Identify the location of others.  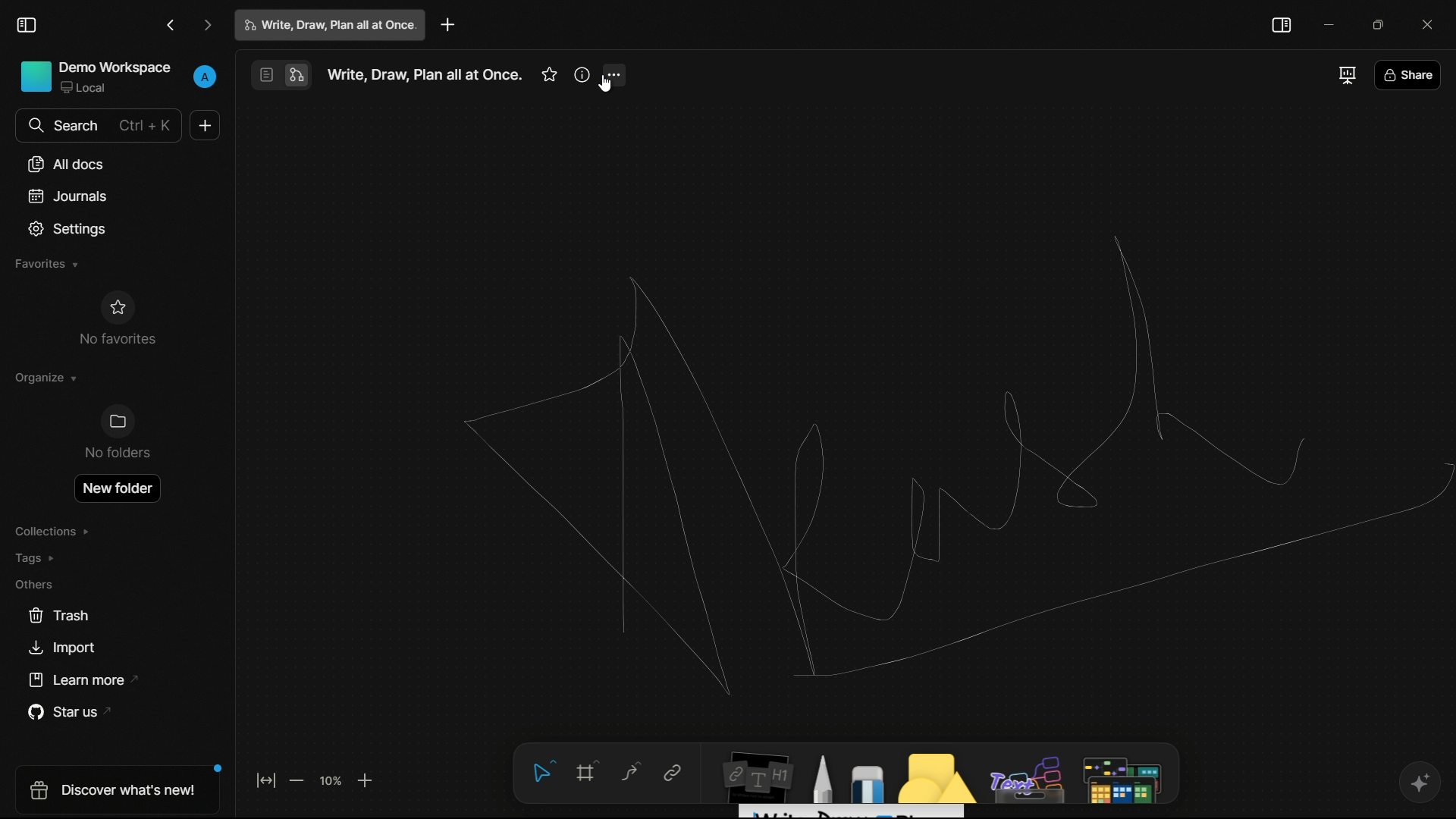
(33, 585).